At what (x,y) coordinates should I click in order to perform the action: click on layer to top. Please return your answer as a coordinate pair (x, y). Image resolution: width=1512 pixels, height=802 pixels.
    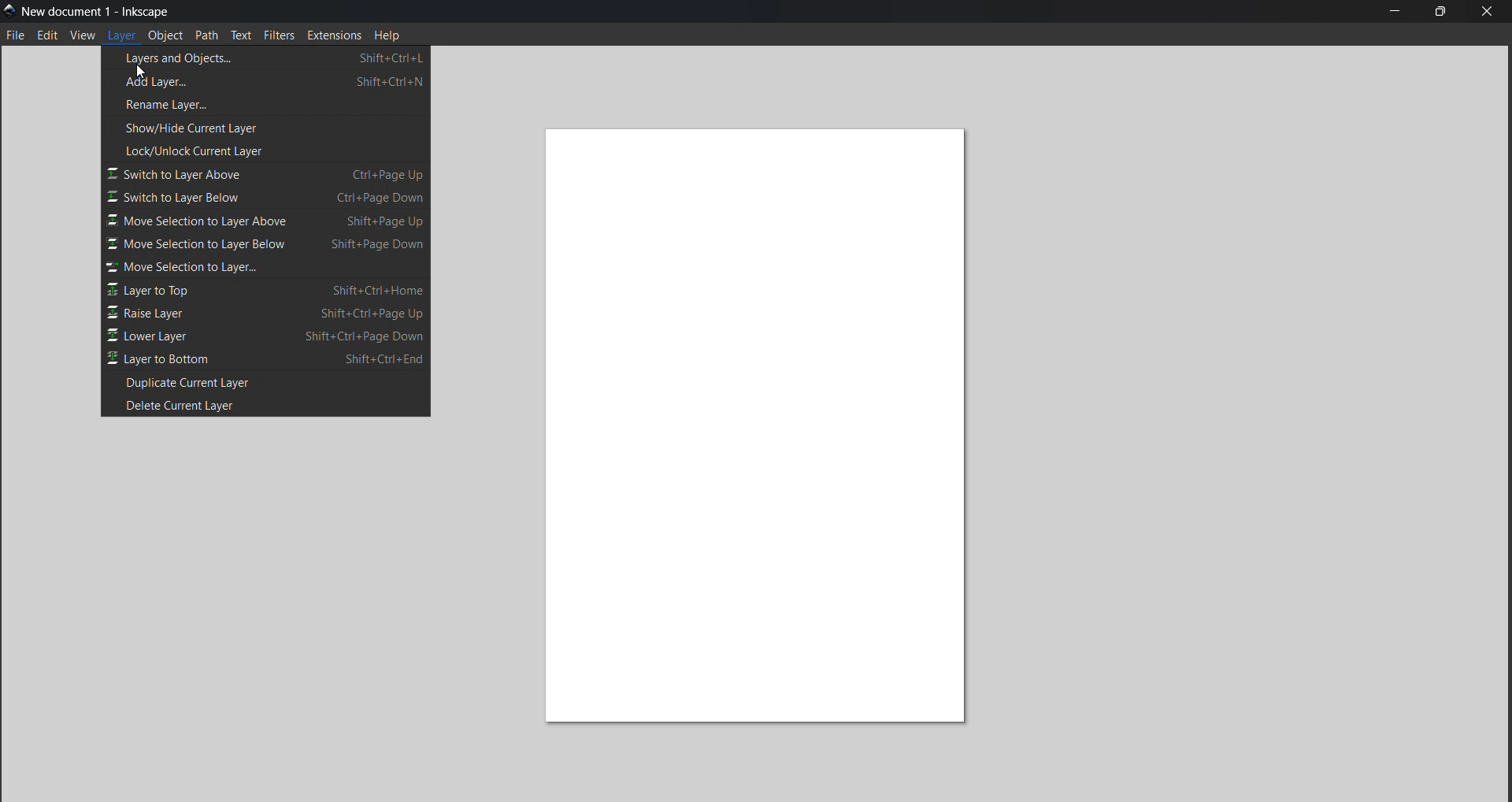
    Looking at the image, I should click on (267, 291).